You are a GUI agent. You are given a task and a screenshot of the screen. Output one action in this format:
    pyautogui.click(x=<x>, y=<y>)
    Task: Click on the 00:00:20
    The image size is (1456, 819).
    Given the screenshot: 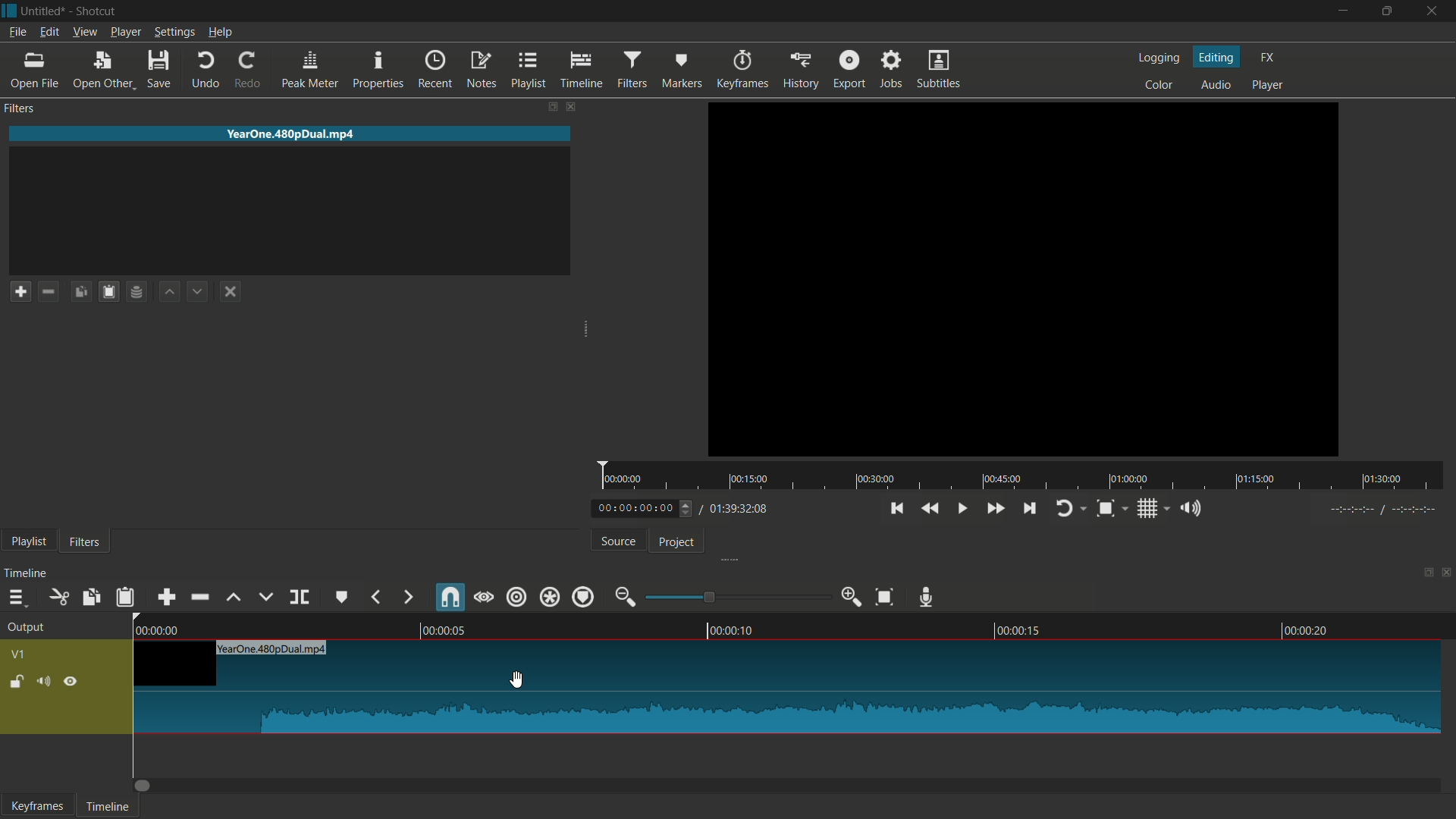 What is the action you would take?
    pyautogui.click(x=1307, y=631)
    